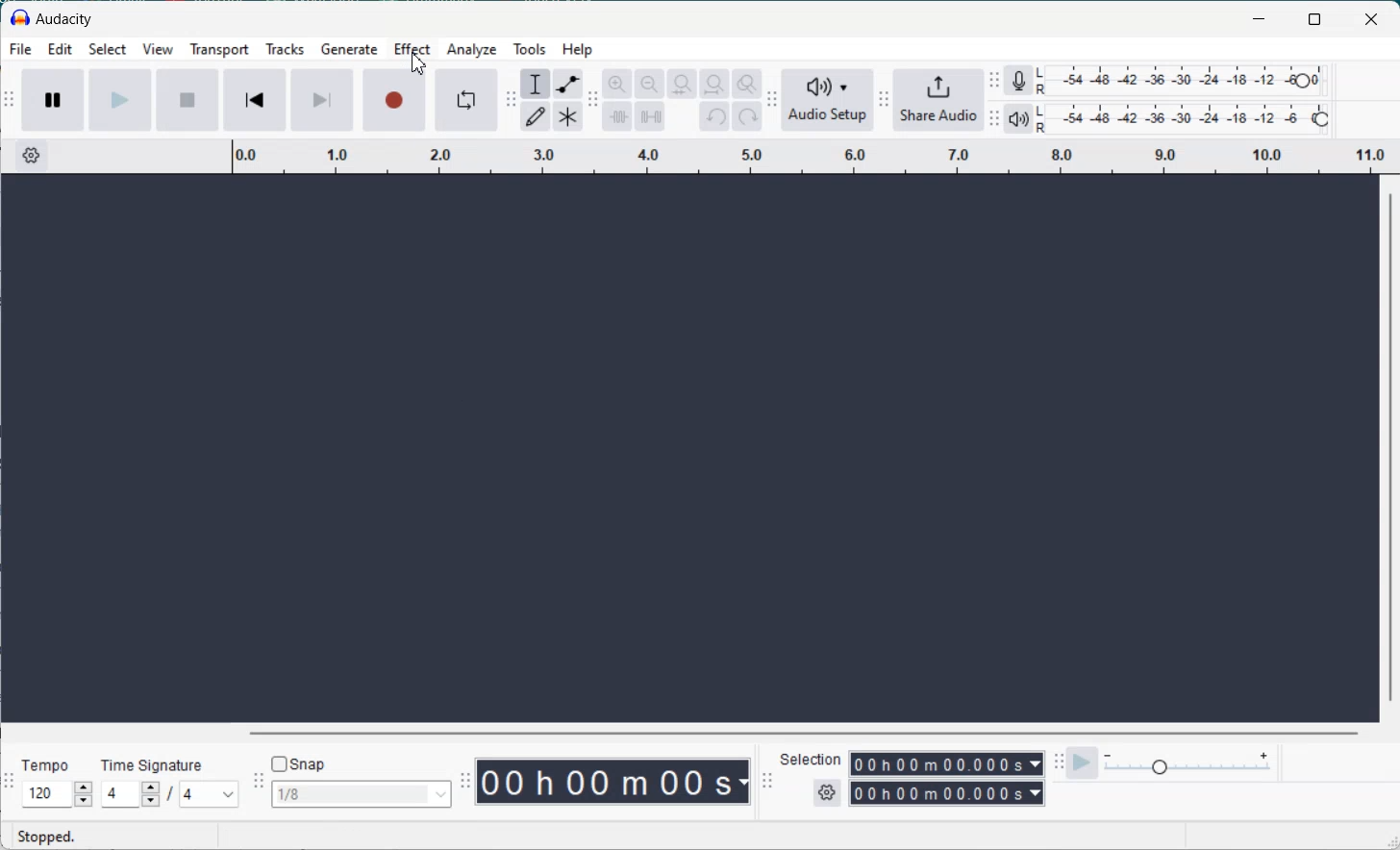  Describe the element at coordinates (362, 793) in the screenshot. I see `1/8` at that location.